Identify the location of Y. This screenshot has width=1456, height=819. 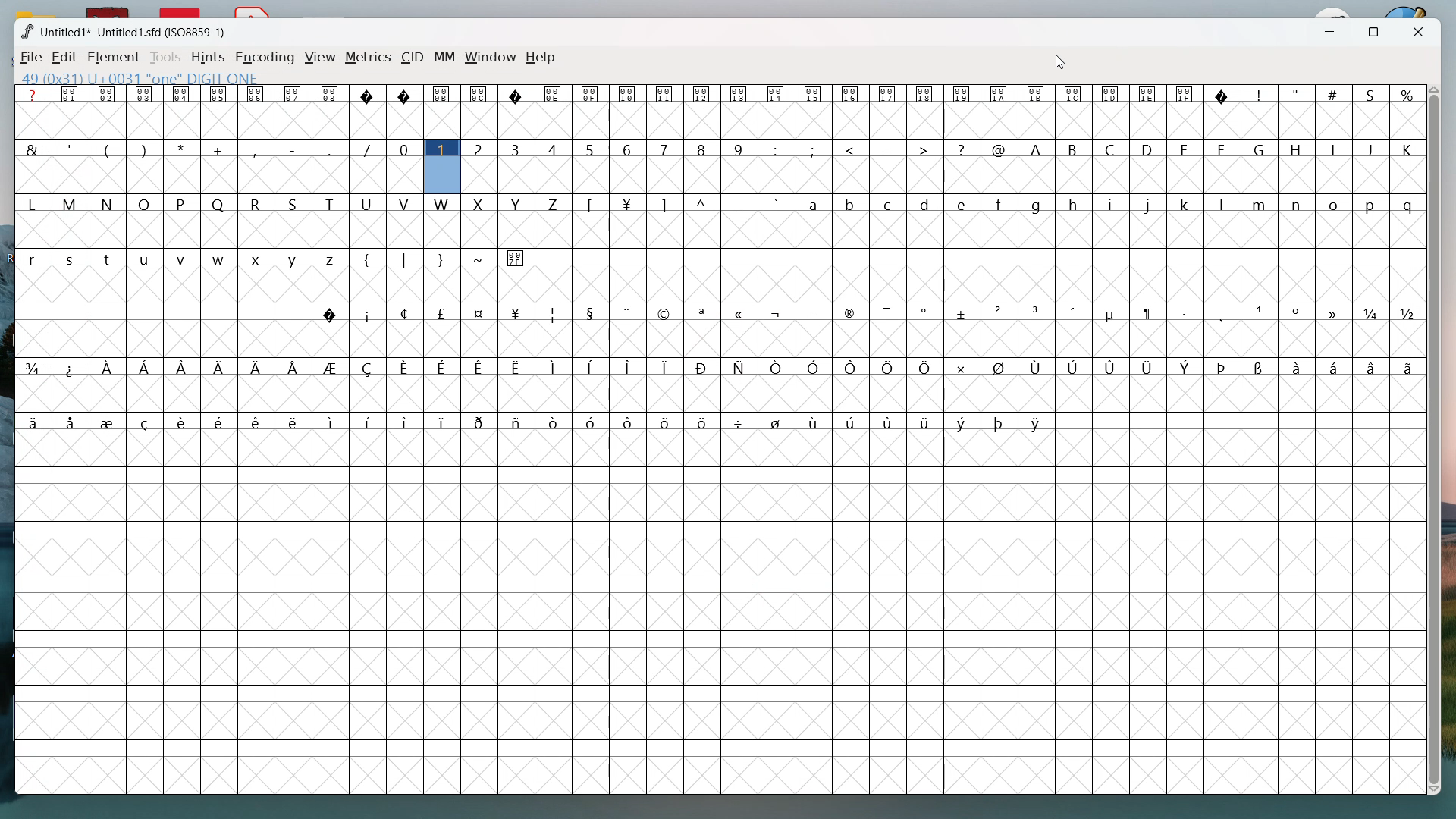
(516, 203).